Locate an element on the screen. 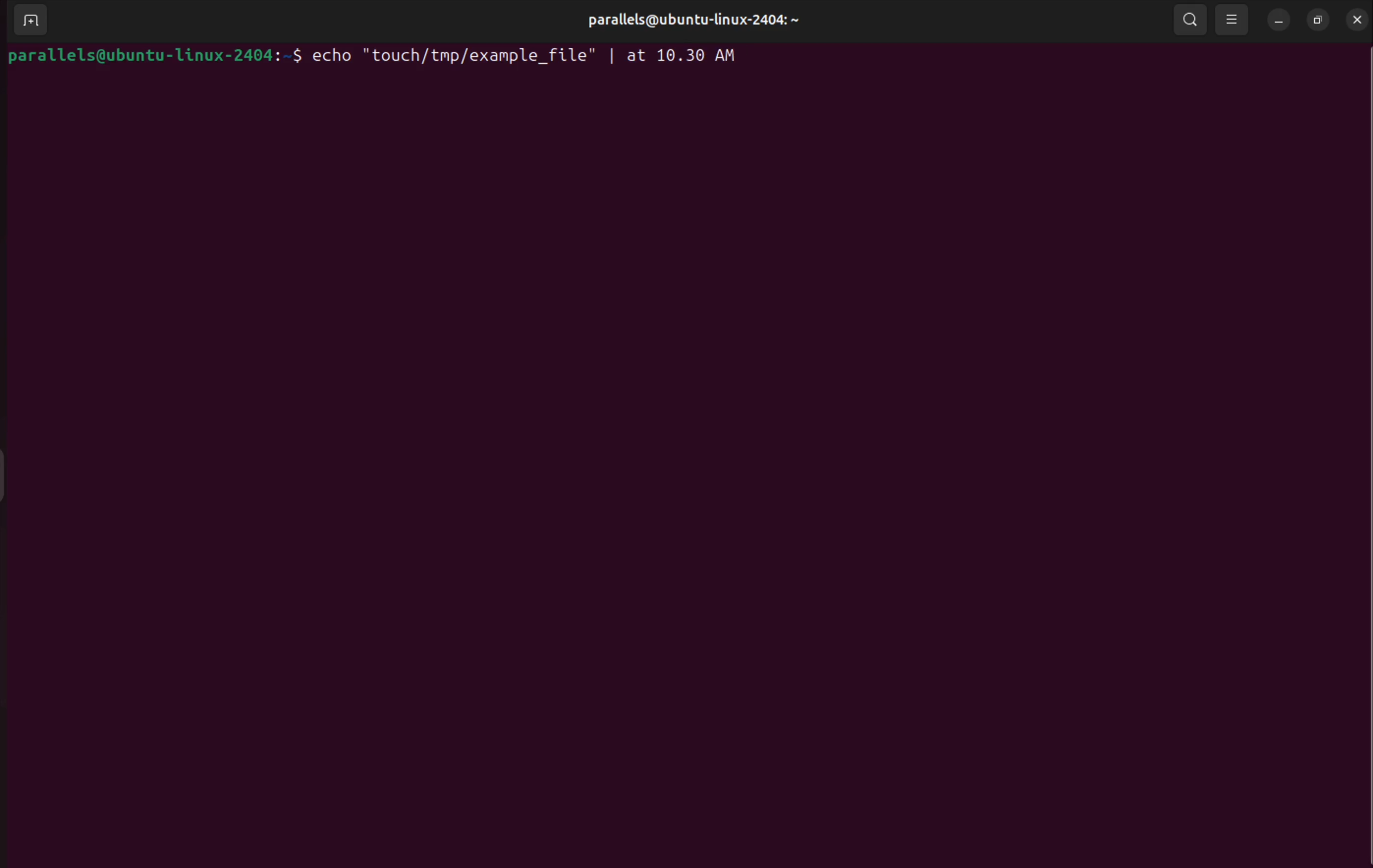 The image size is (1373, 868). add terminal is located at coordinates (30, 19).